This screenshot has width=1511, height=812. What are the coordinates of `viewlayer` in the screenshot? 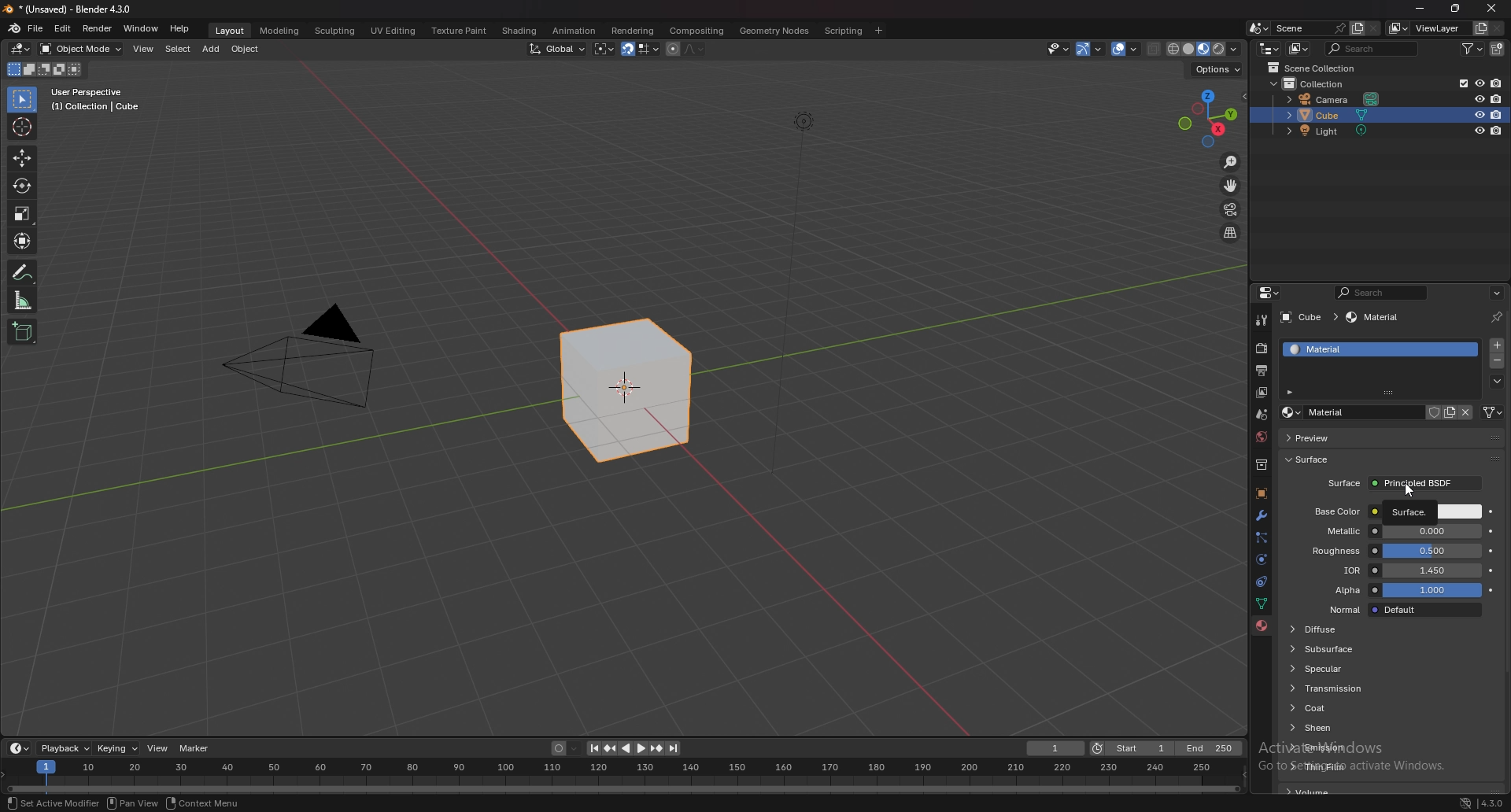 It's located at (1263, 393).